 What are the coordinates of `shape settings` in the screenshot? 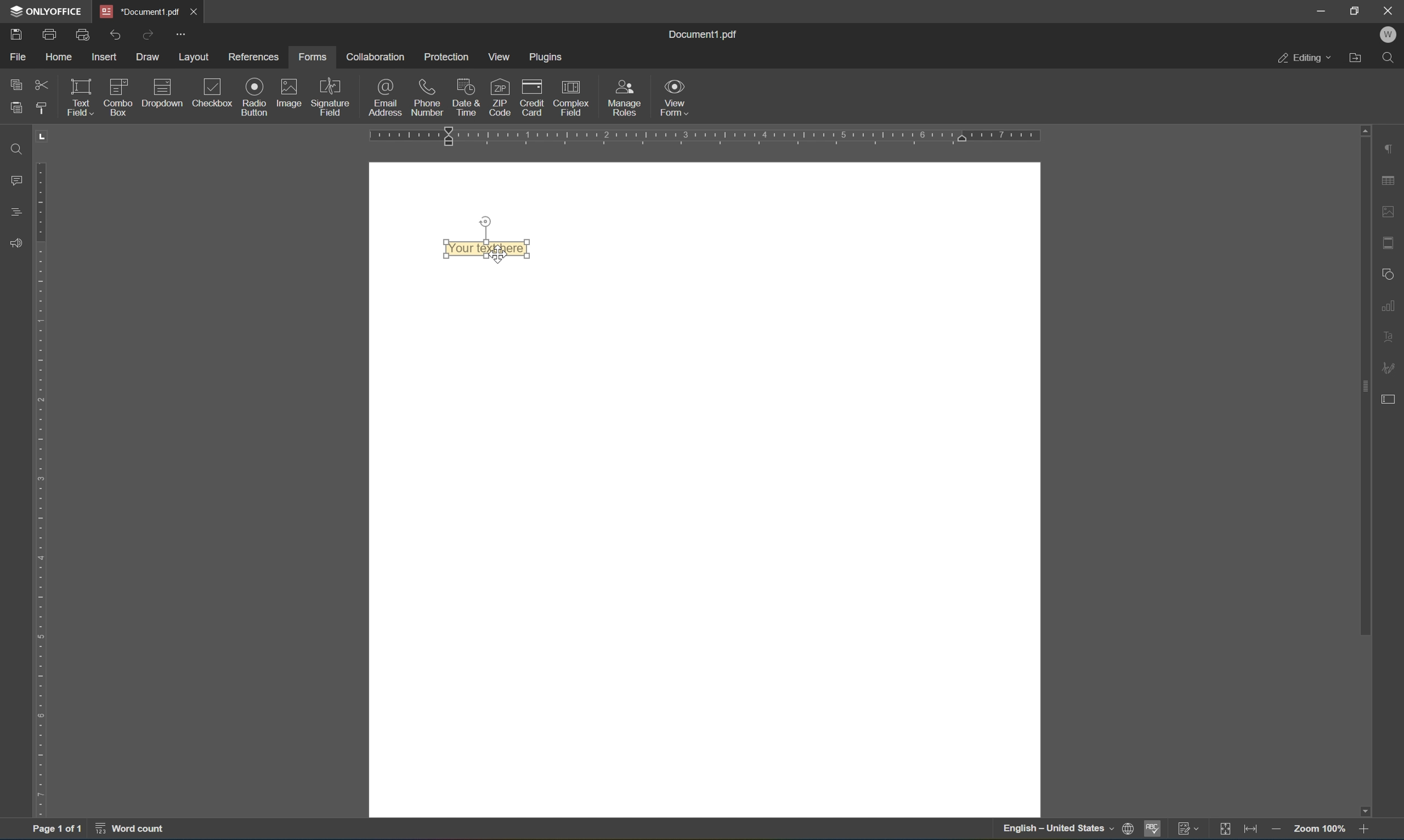 It's located at (1386, 273).